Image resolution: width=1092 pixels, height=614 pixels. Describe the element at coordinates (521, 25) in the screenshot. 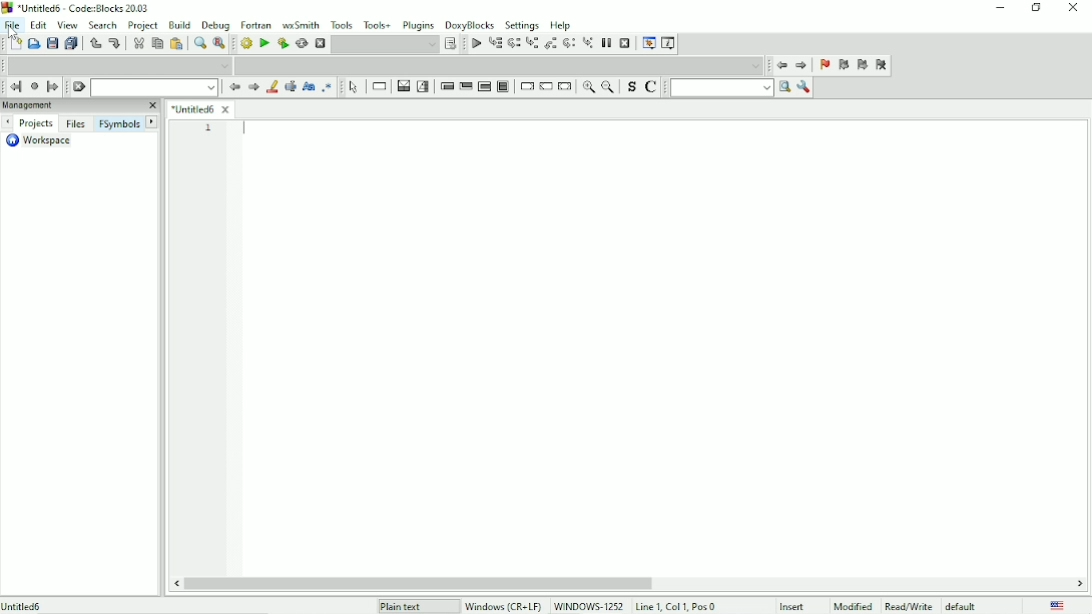

I see `Settings` at that location.